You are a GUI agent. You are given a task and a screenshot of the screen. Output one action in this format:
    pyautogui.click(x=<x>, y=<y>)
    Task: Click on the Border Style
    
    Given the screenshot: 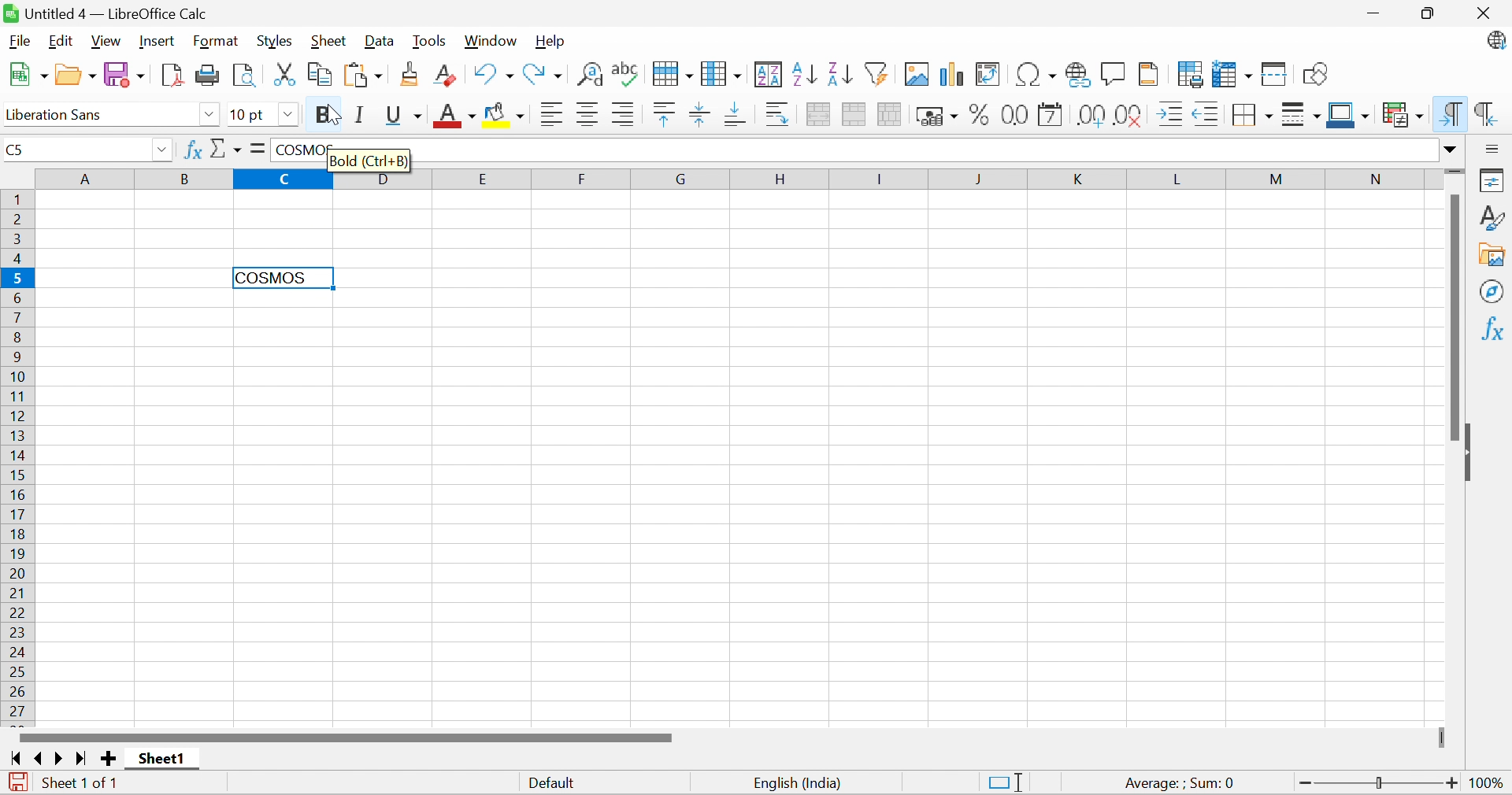 What is the action you would take?
    pyautogui.click(x=1302, y=115)
    